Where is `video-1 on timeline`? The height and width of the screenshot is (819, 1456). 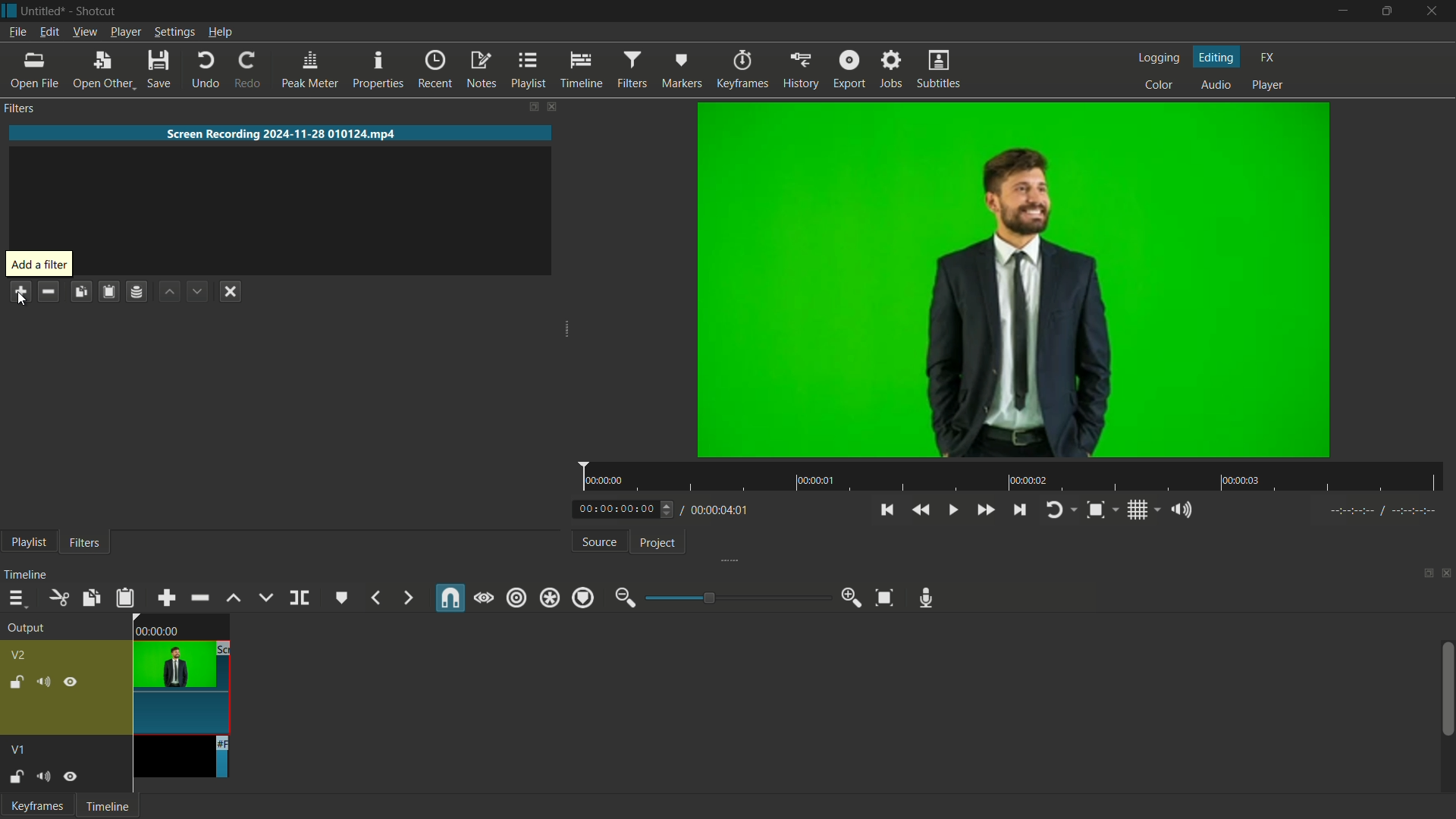 video-1 on timeline is located at coordinates (179, 758).